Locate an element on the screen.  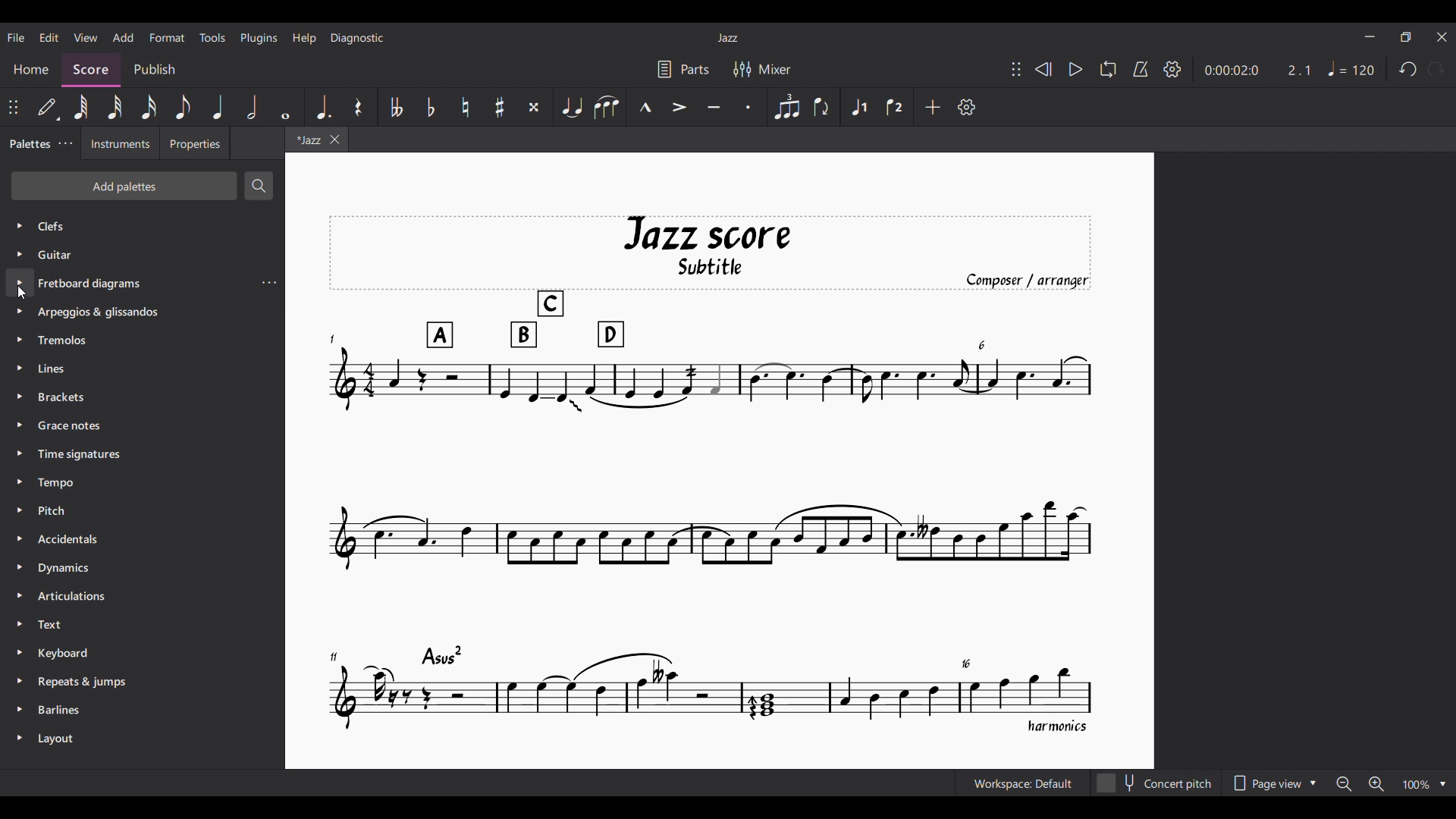
Close tab is located at coordinates (335, 140).